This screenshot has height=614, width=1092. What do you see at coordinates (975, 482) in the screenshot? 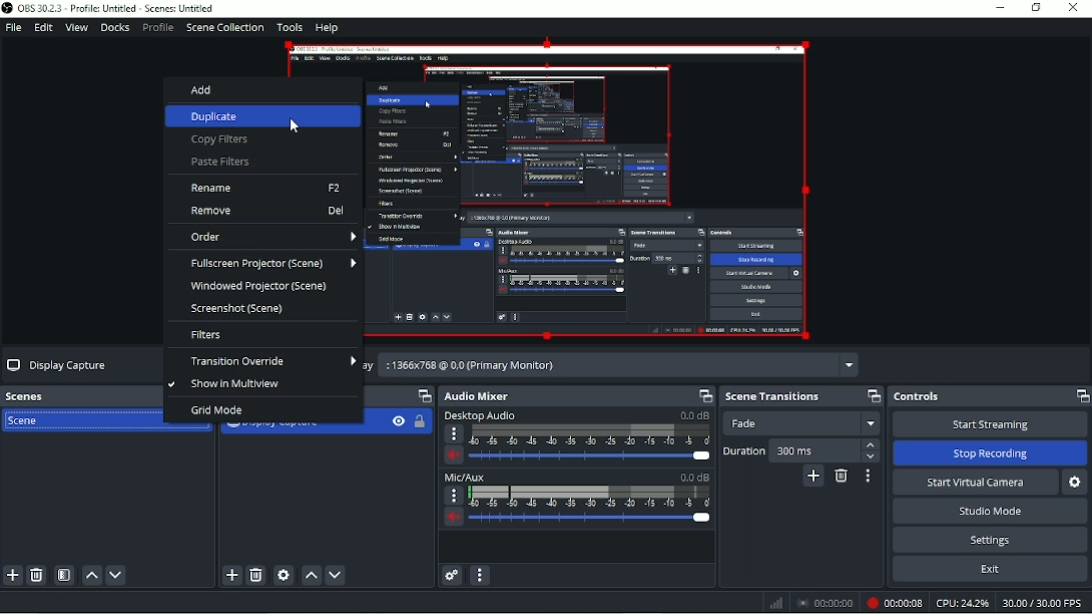
I see `Start virtual camera` at bounding box center [975, 482].